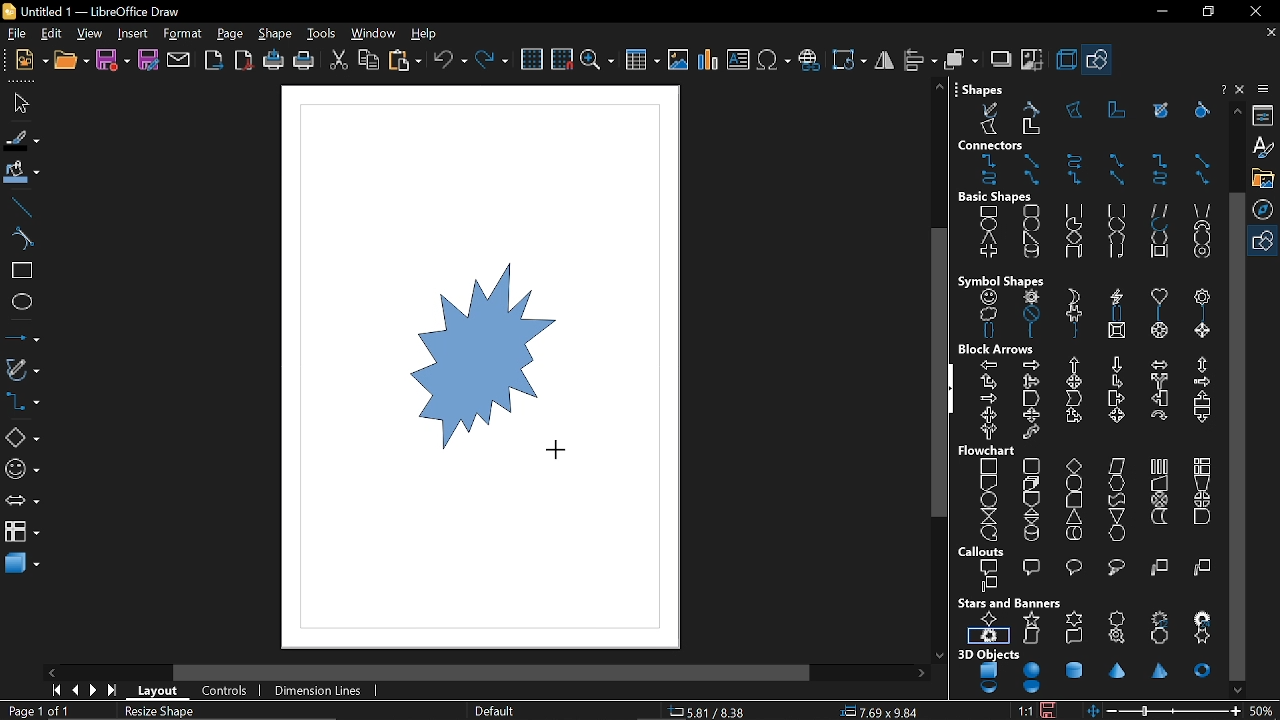 The height and width of the screenshot is (720, 1280). What do you see at coordinates (496, 710) in the screenshot?
I see `Page style` at bounding box center [496, 710].